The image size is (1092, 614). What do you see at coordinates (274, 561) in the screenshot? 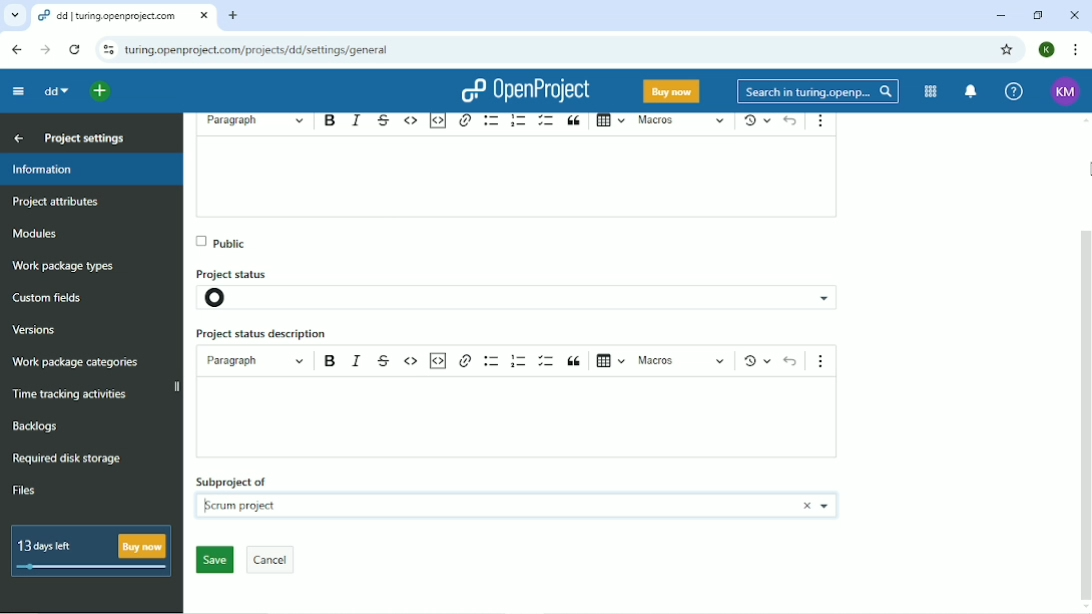
I see `Cancel` at bounding box center [274, 561].